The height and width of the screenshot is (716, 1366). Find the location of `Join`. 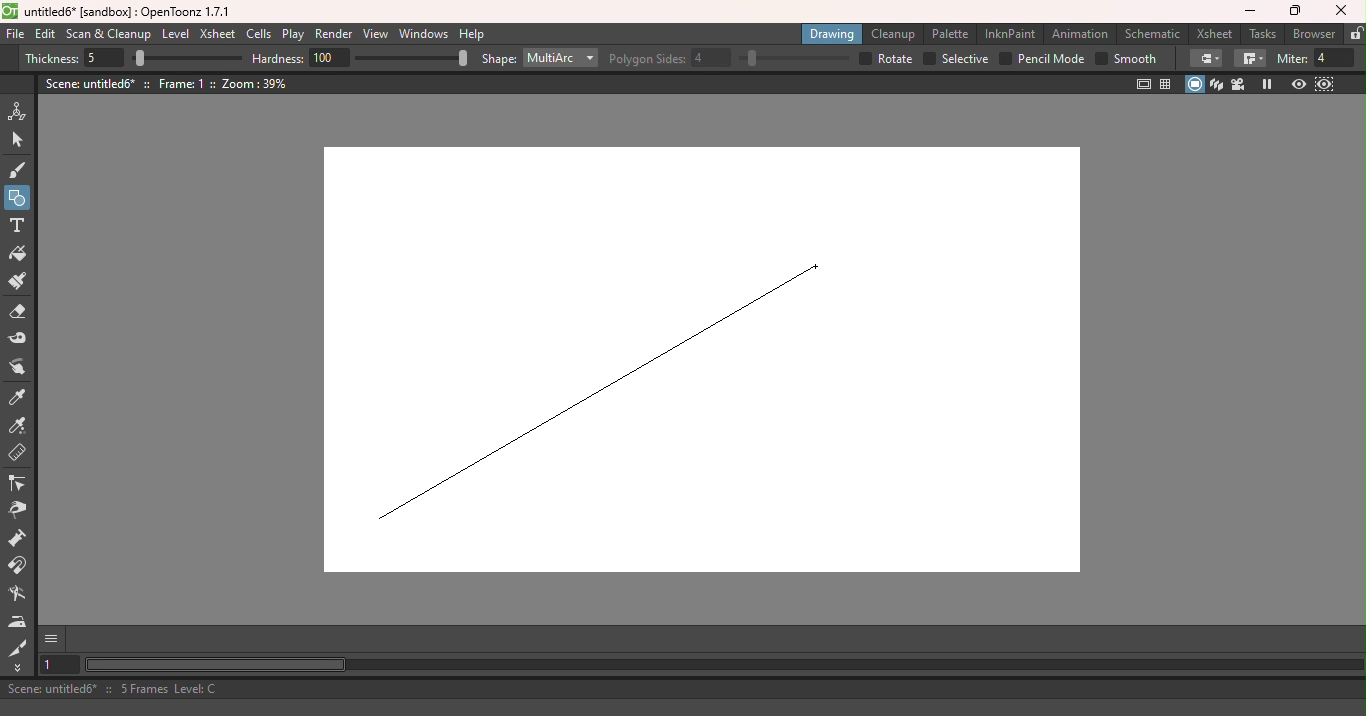

Join is located at coordinates (1249, 59).